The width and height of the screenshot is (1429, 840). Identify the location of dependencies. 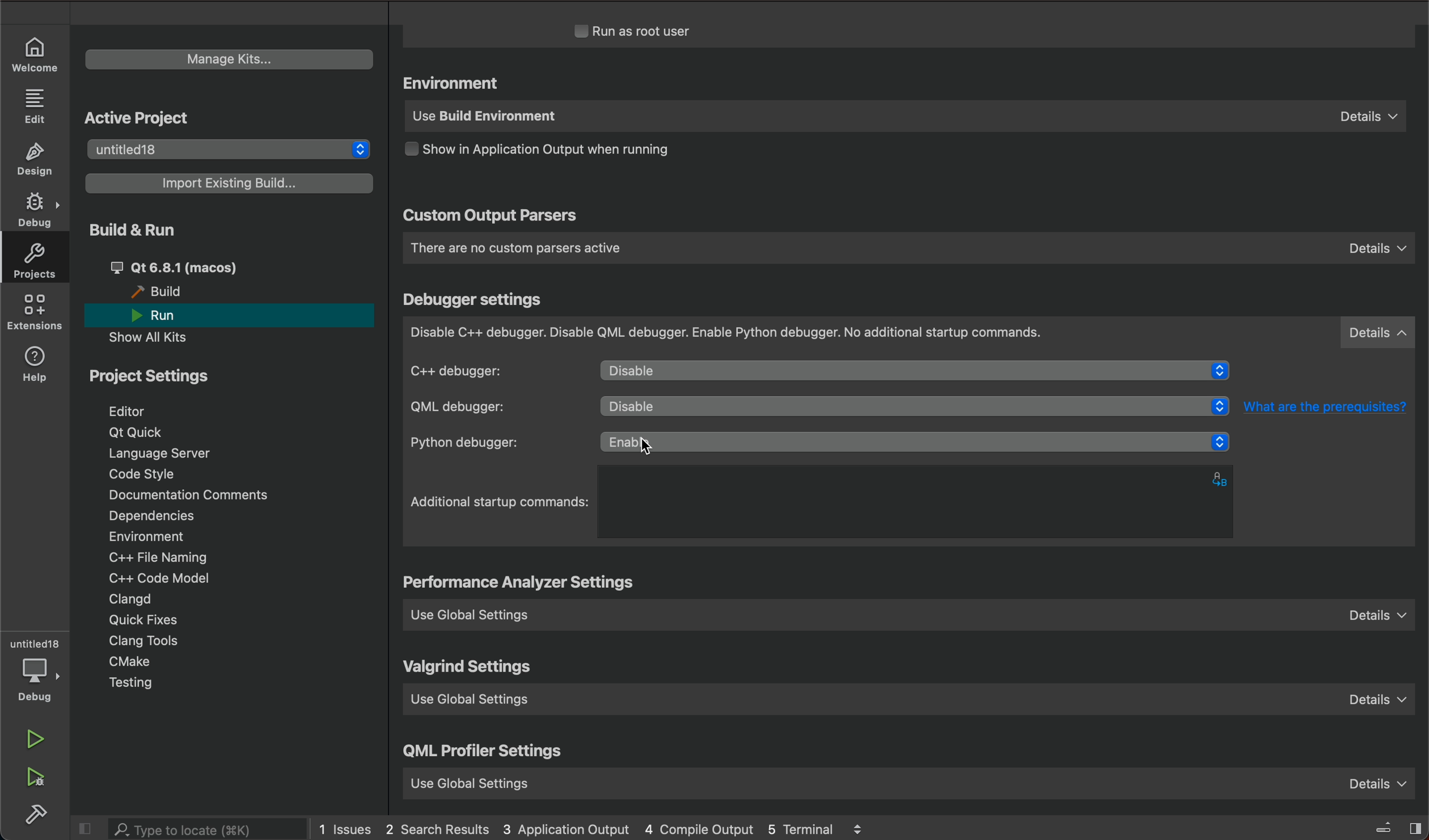
(150, 515).